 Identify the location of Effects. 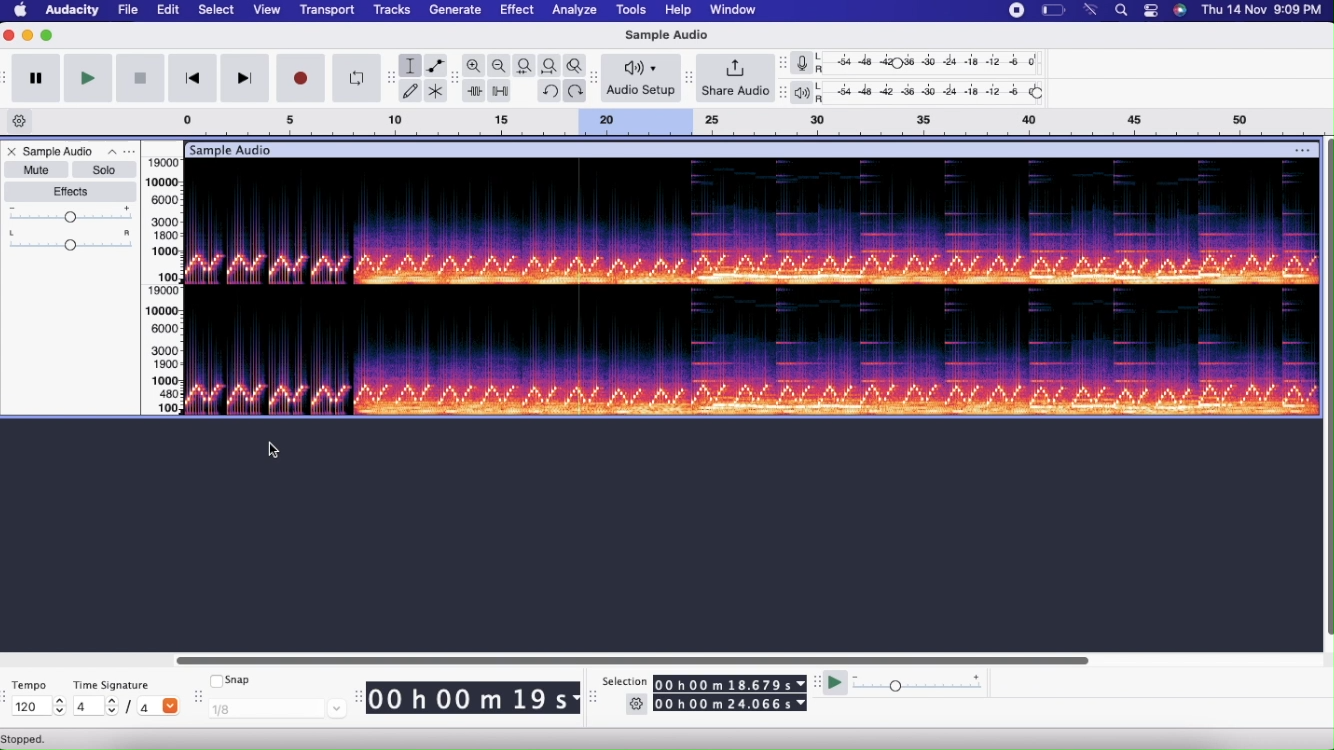
(70, 190).